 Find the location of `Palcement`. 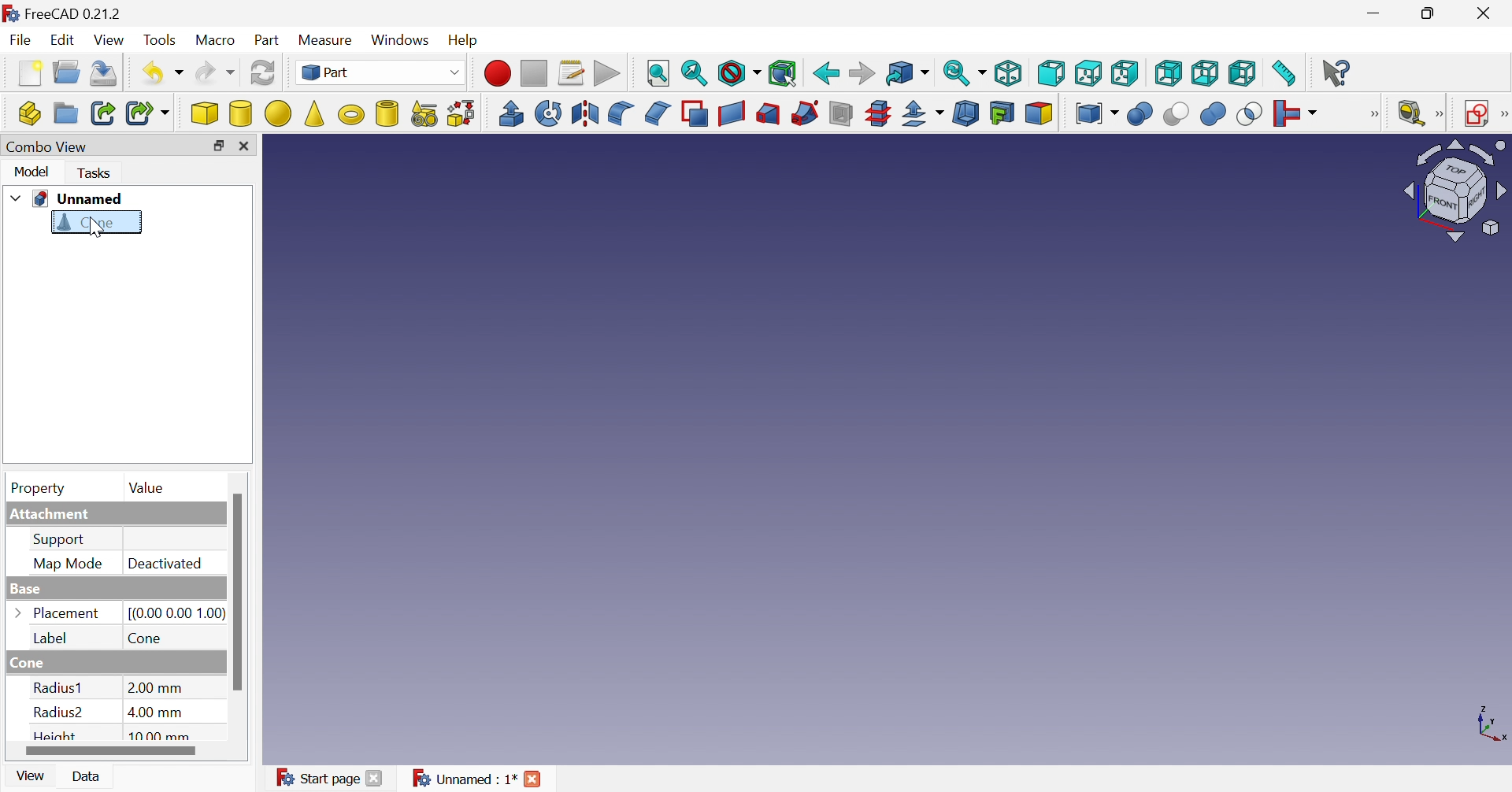

Palcement is located at coordinates (68, 613).